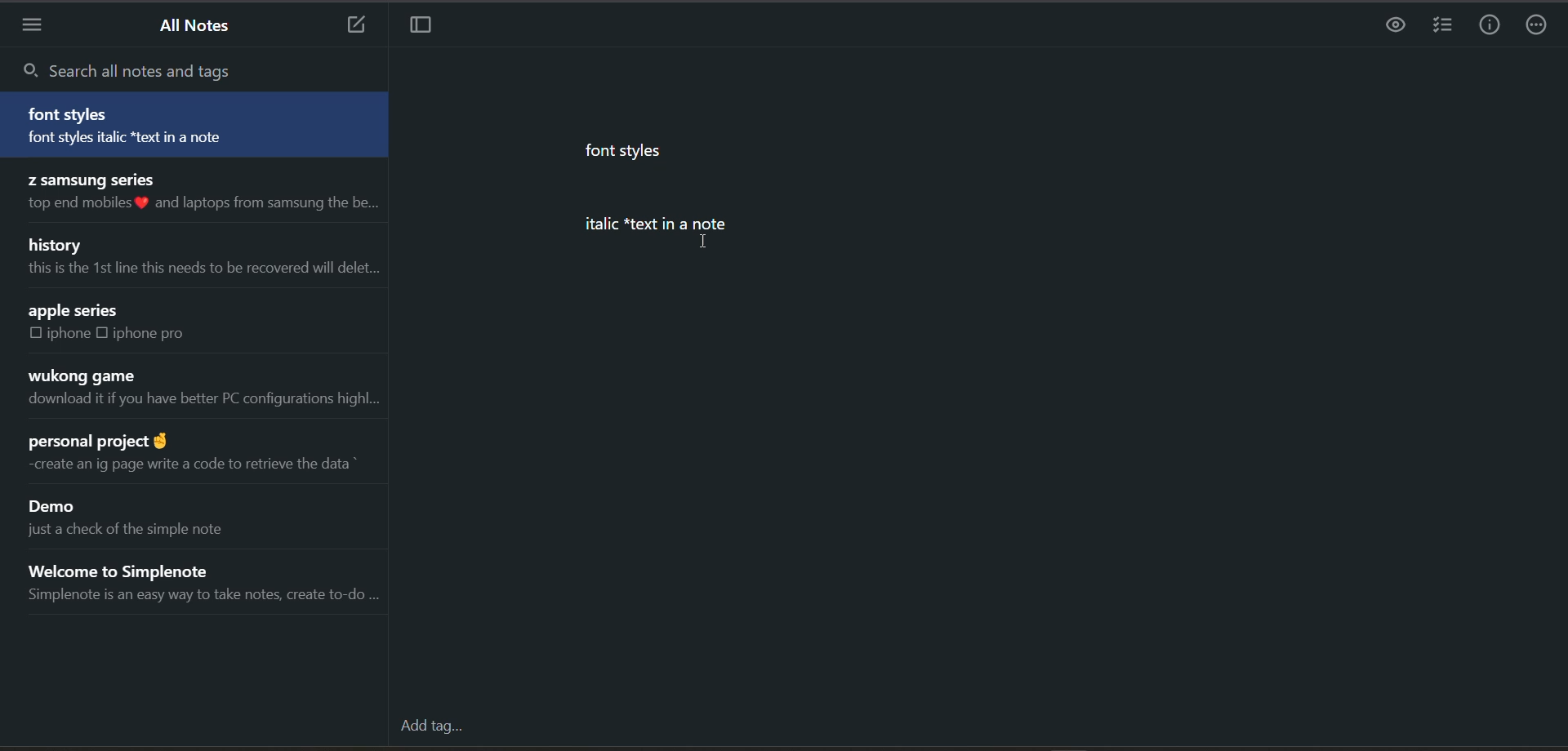  What do you see at coordinates (199, 29) in the screenshot?
I see `all notes` at bounding box center [199, 29].